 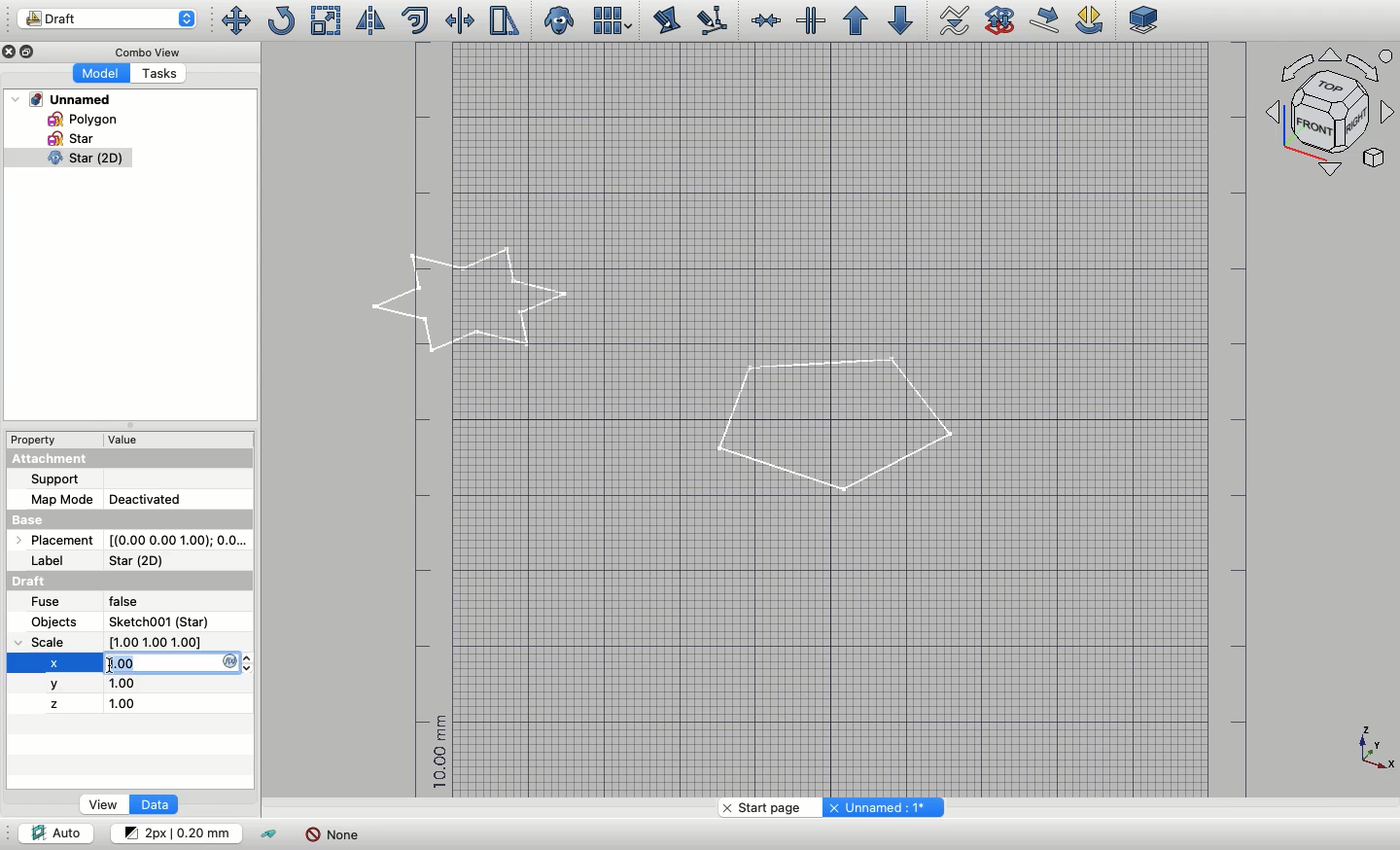 I want to click on Star selected, so click(x=472, y=301).